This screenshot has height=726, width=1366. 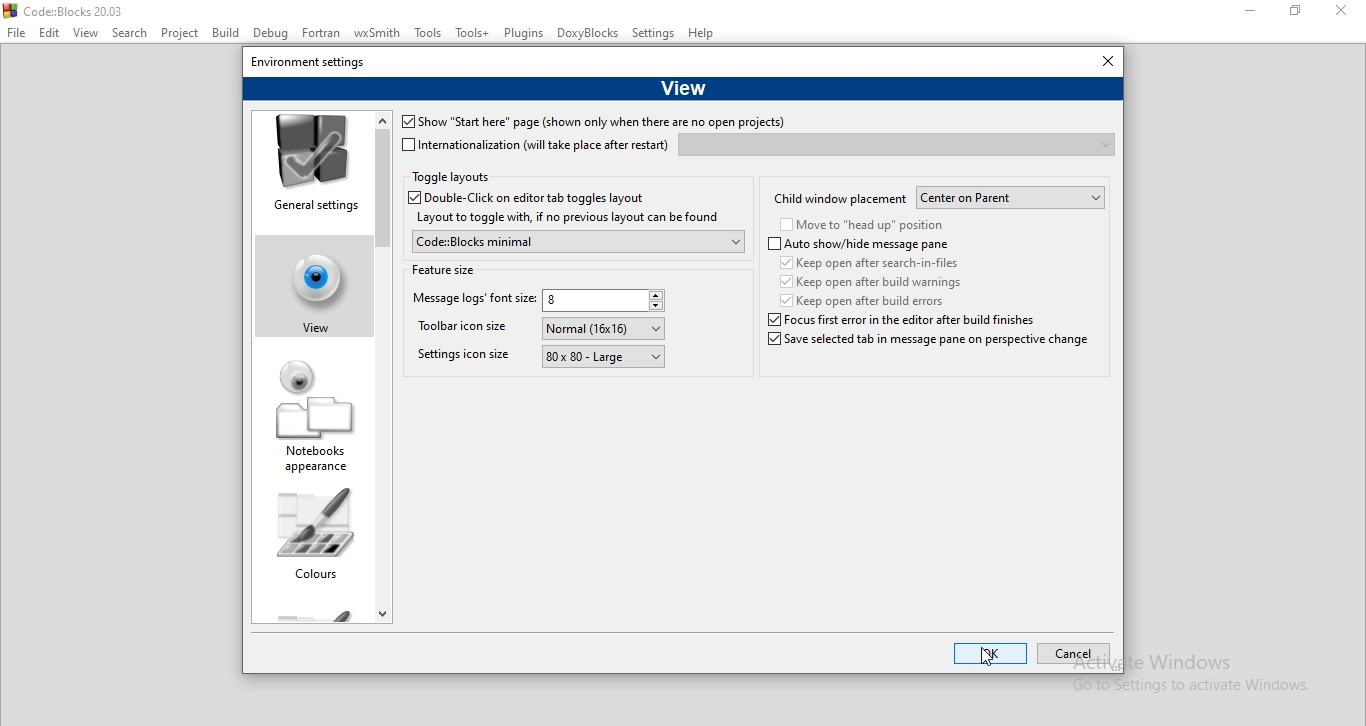 I want to click on Show "Start here" page (shown only when there are no open projects), so click(x=592, y=123).